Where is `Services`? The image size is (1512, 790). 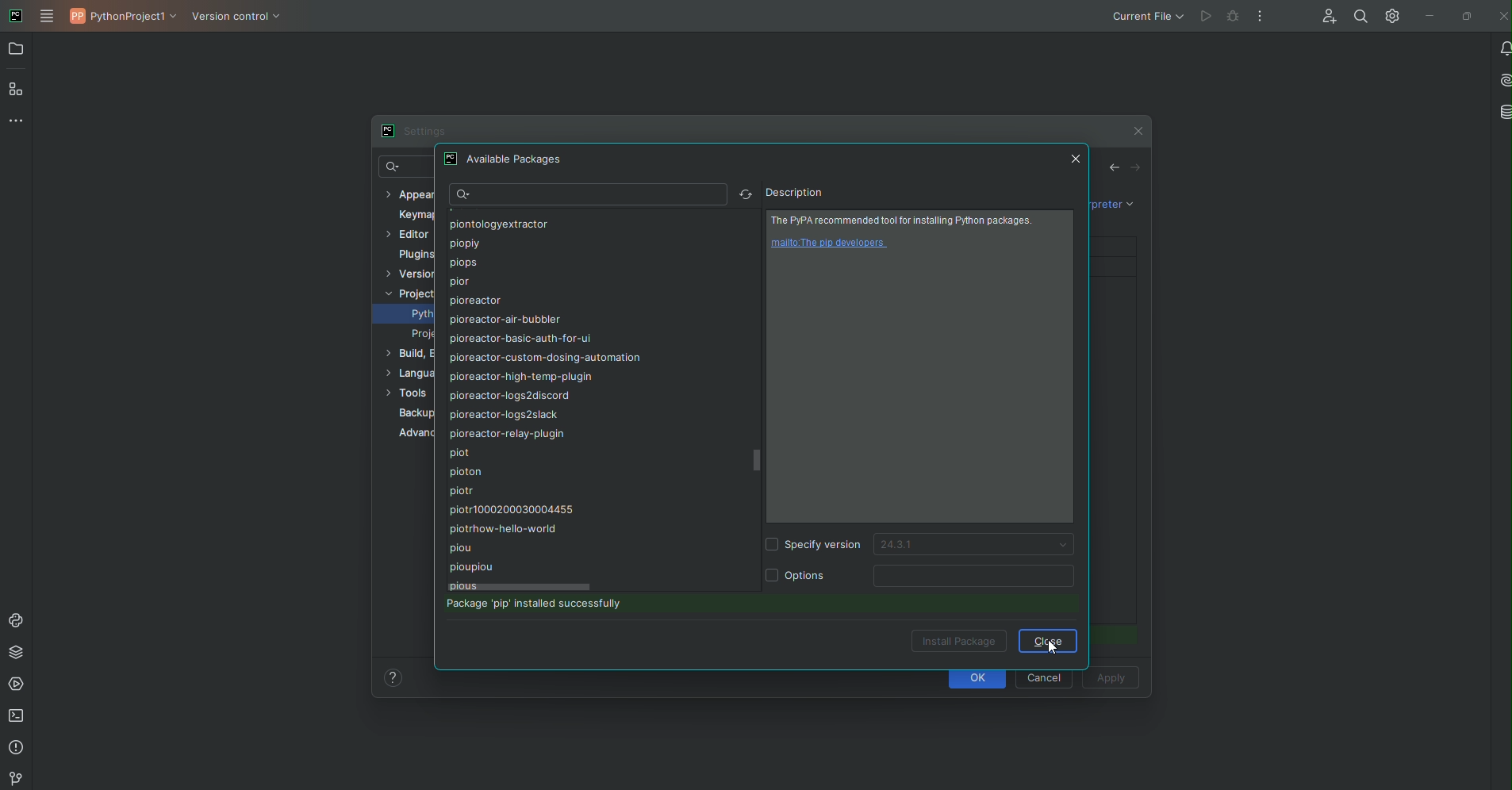 Services is located at coordinates (17, 686).